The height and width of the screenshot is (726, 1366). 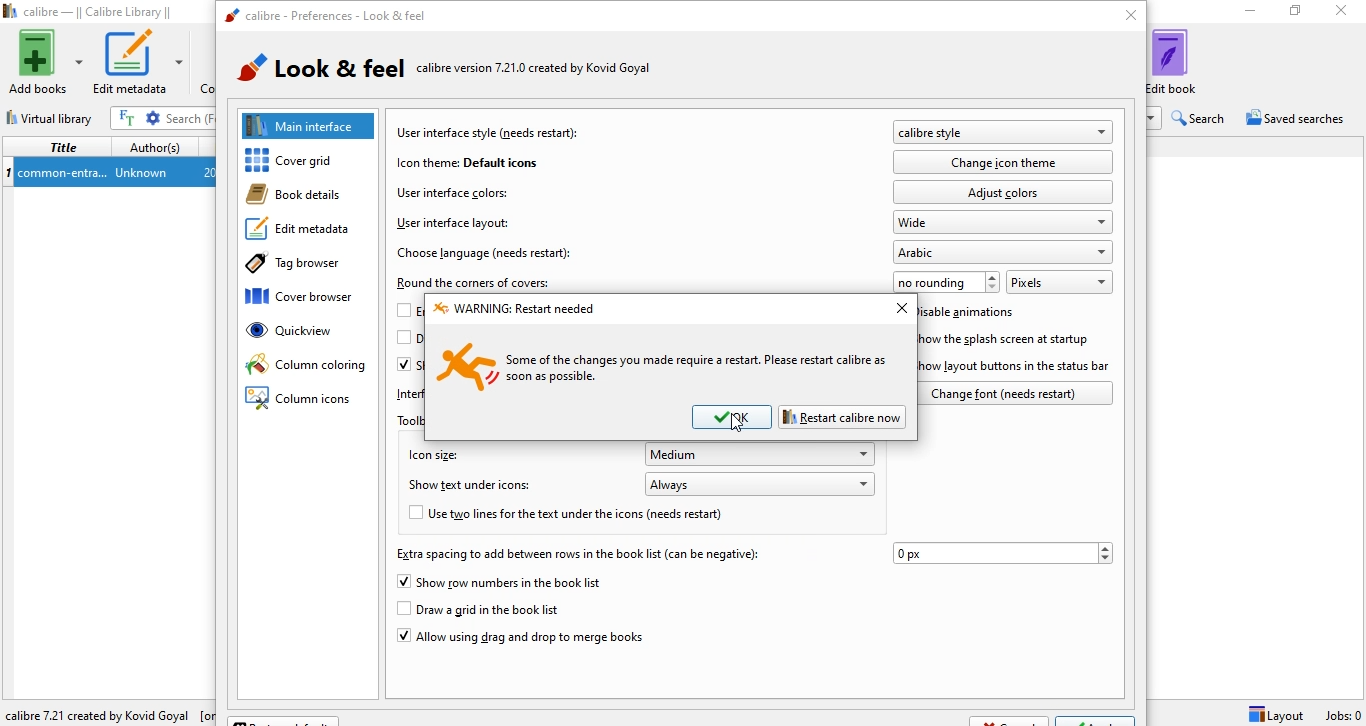 I want to click on tag browser, so click(x=302, y=266).